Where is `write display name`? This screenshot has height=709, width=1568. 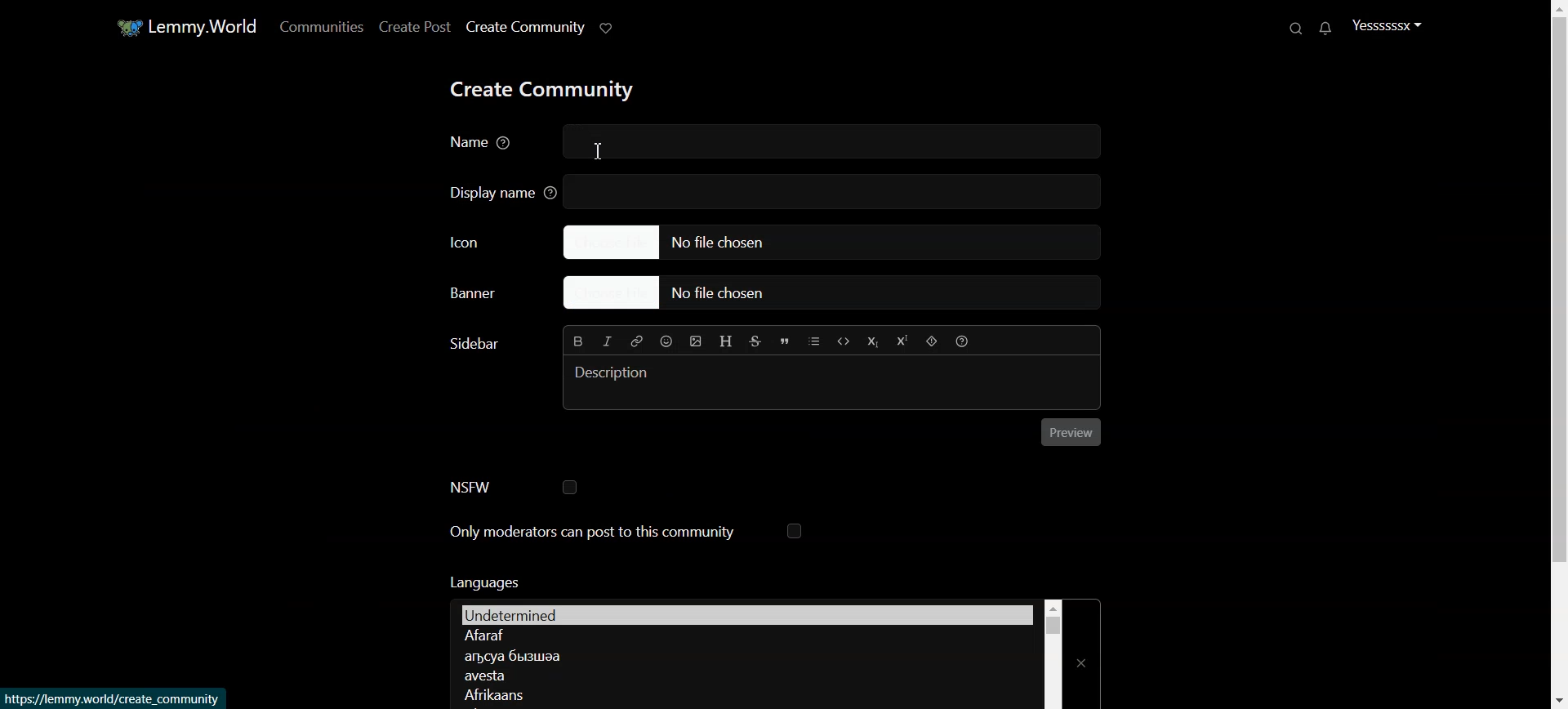 write display name is located at coordinates (846, 195).